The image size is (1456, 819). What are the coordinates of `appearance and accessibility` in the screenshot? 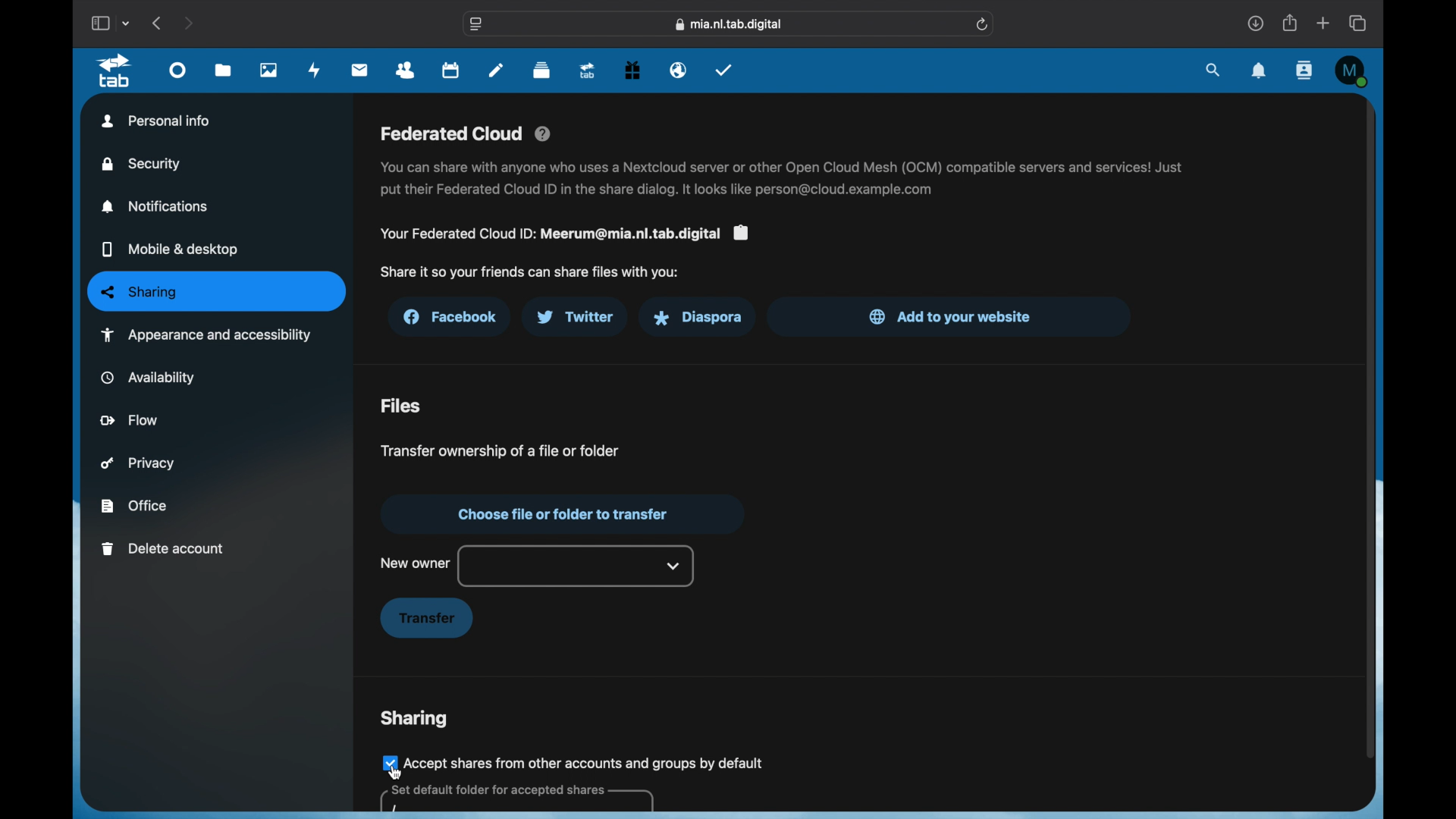 It's located at (206, 334).